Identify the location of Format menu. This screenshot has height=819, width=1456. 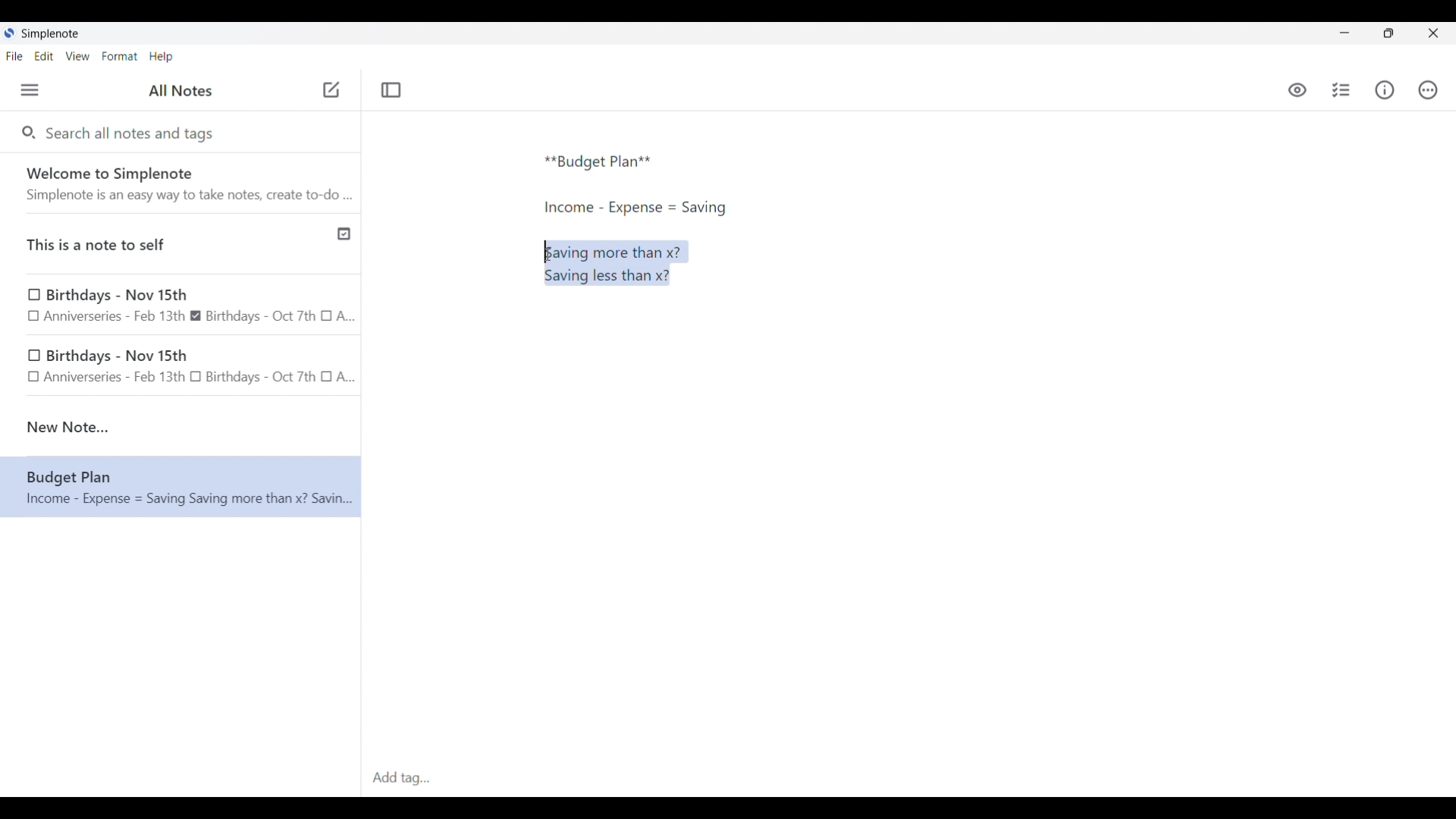
(120, 56).